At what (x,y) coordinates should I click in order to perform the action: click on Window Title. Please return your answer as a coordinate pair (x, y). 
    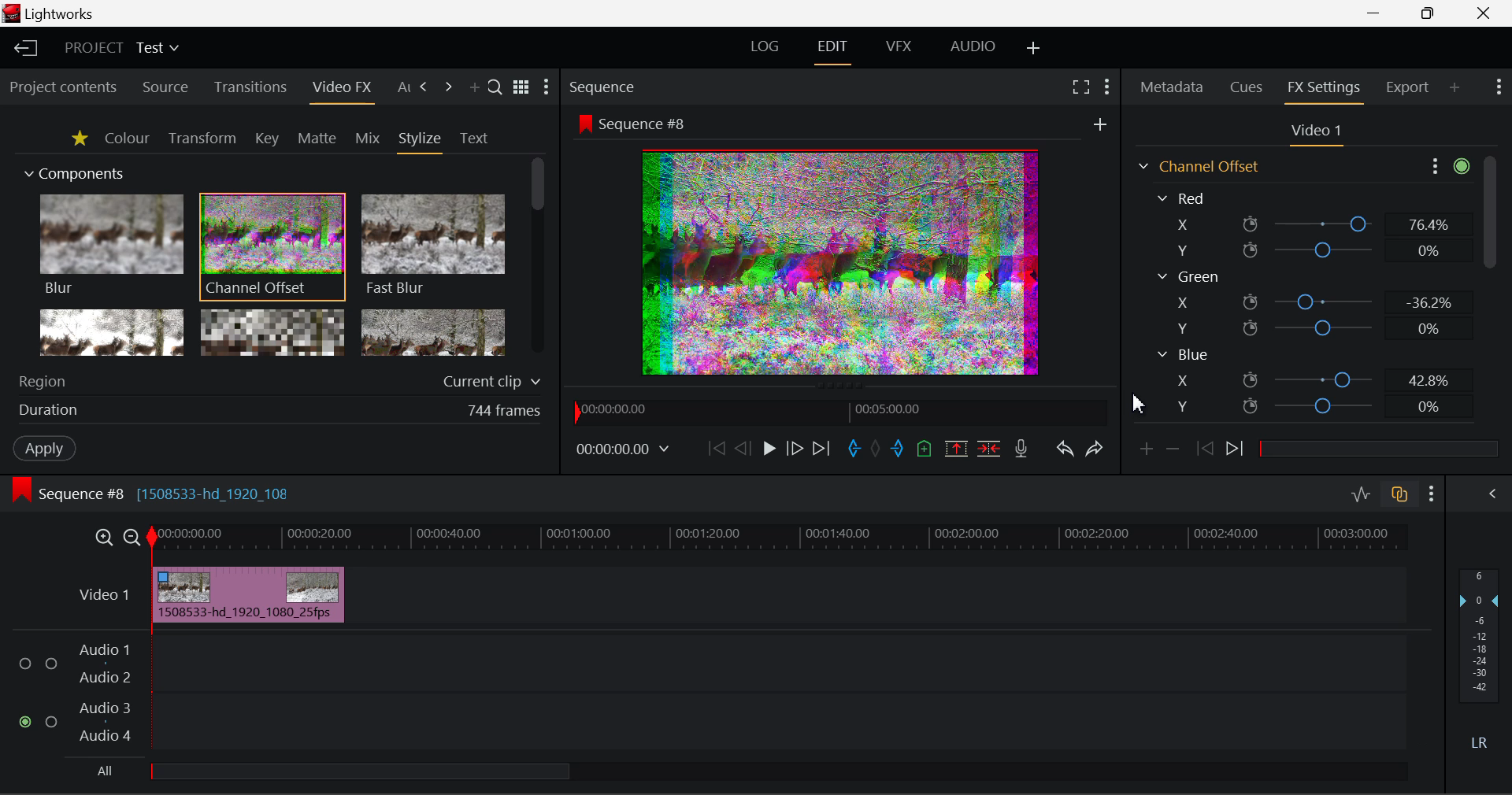
    Looking at the image, I should click on (60, 14).